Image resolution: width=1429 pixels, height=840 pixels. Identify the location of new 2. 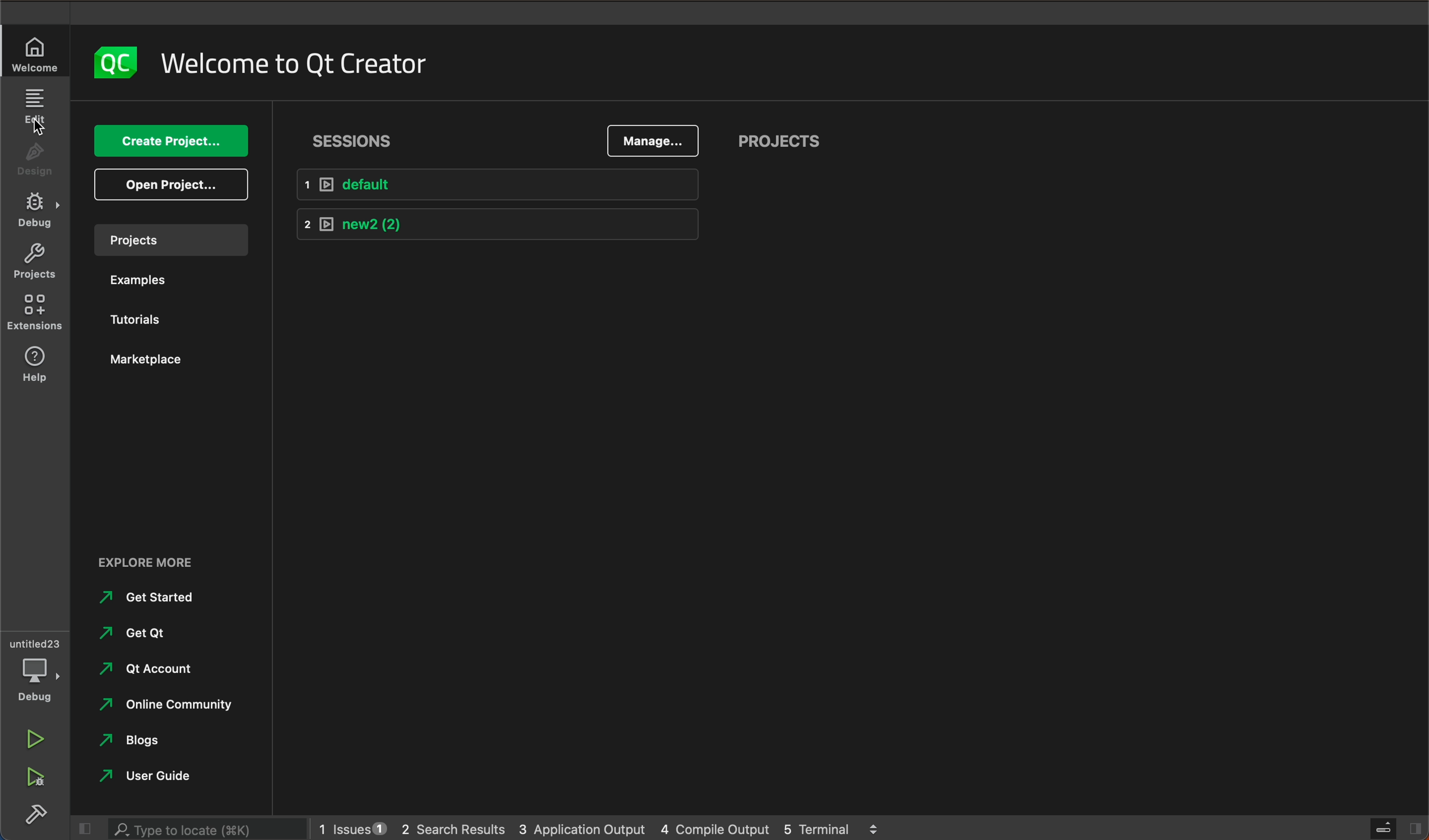
(497, 226).